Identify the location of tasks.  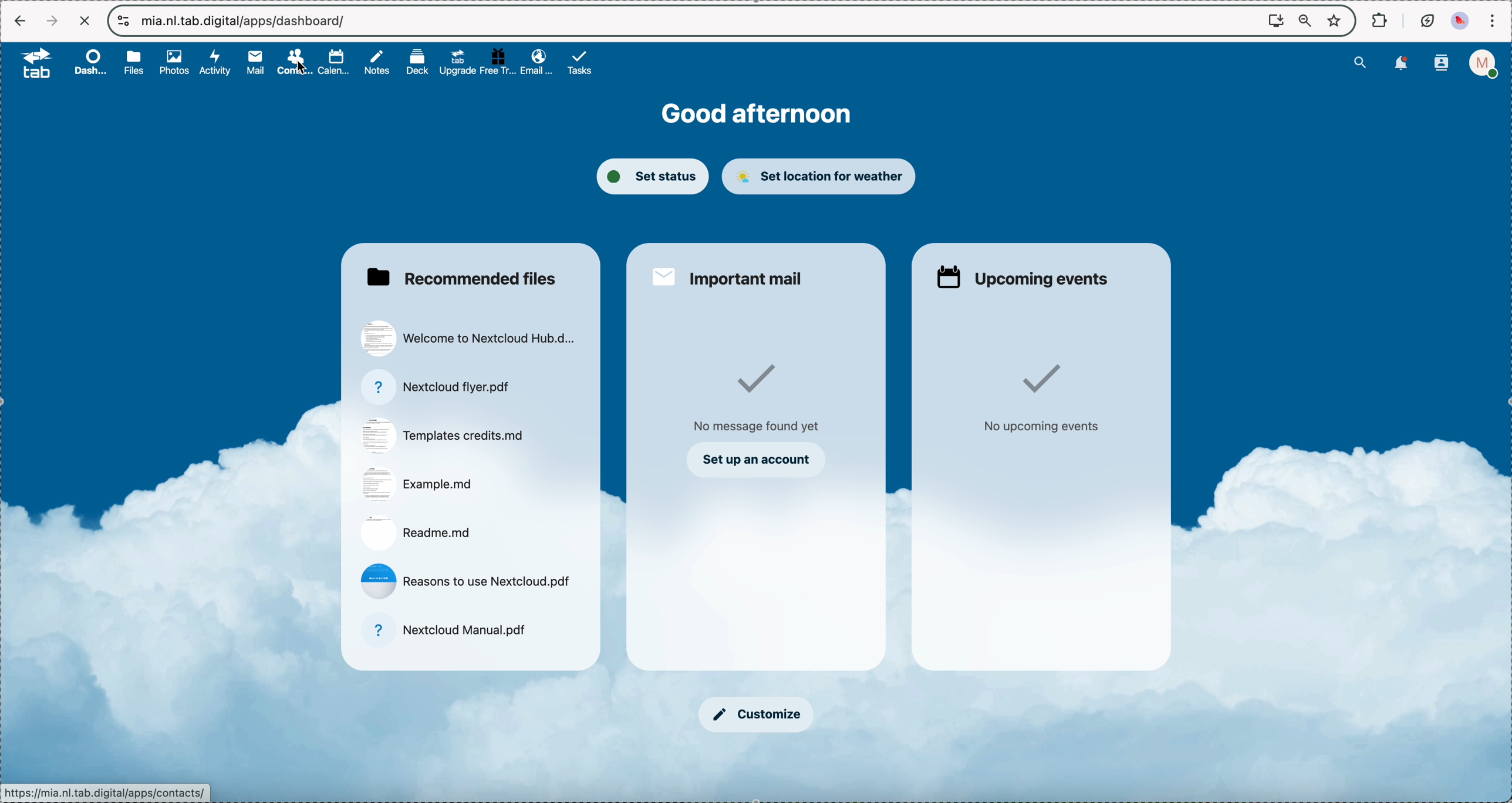
(584, 64).